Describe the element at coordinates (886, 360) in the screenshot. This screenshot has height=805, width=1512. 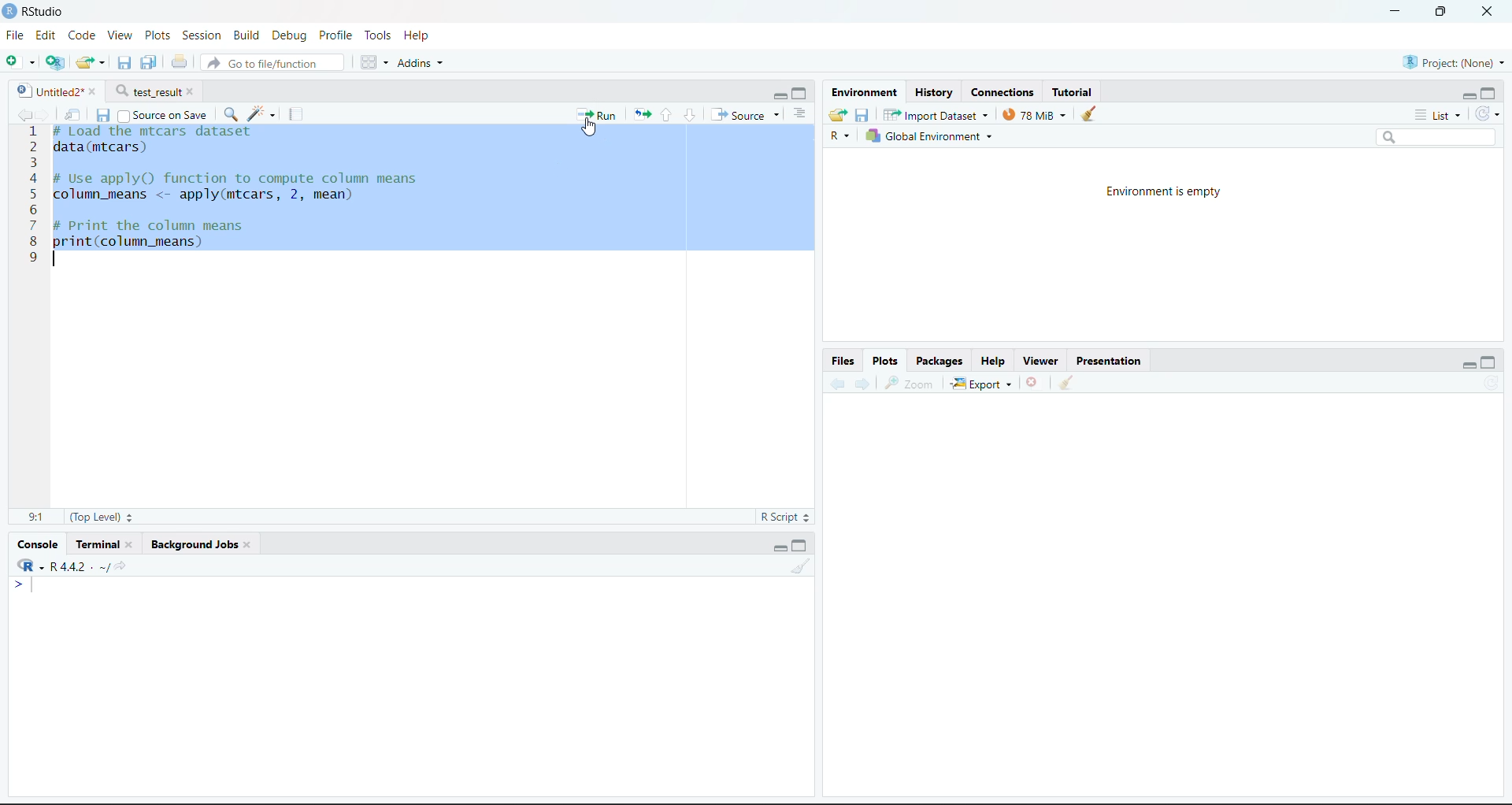
I see `Plots` at that location.